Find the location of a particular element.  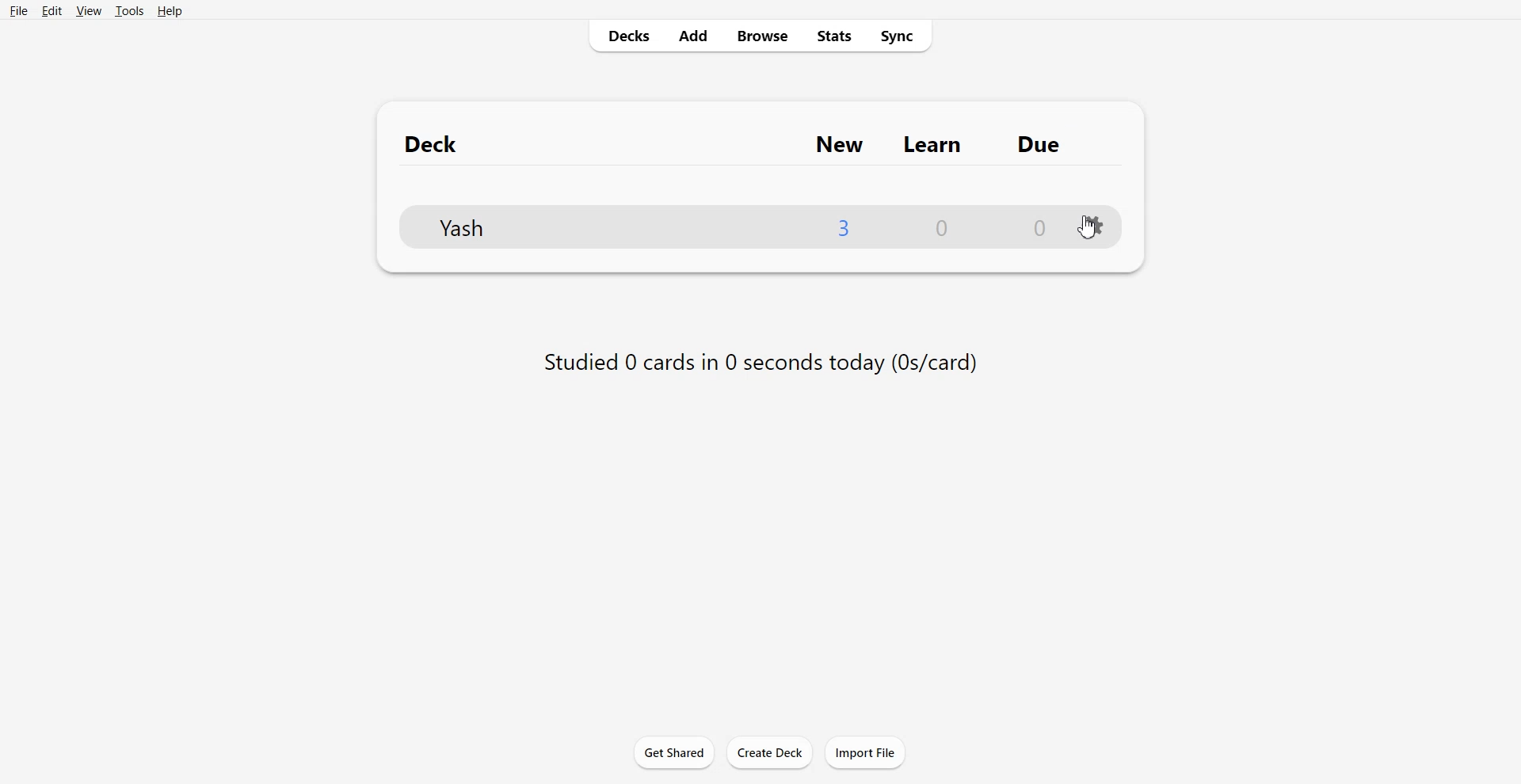

Tools is located at coordinates (129, 11).